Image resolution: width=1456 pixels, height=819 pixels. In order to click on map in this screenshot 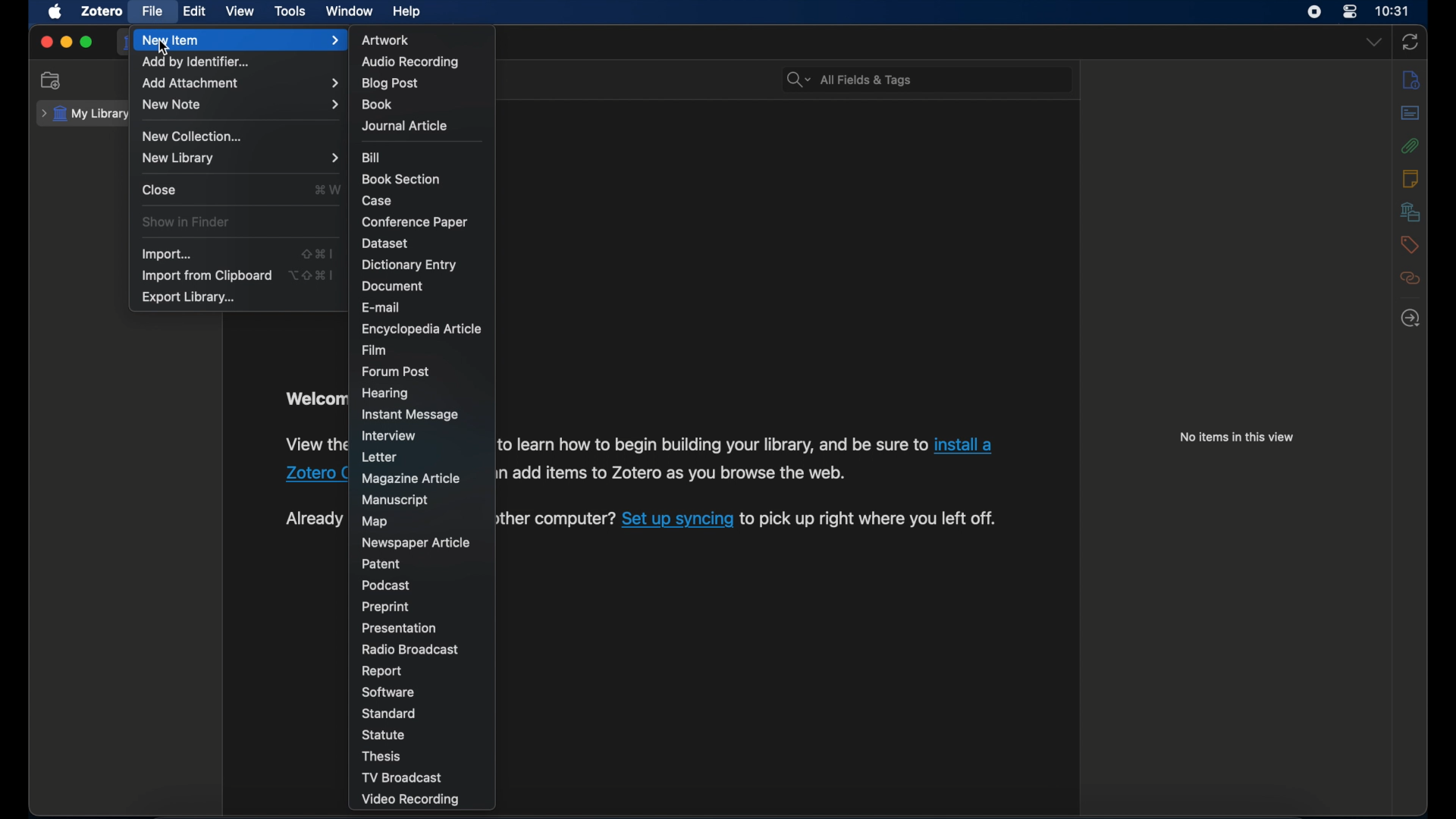, I will do `click(376, 522)`.